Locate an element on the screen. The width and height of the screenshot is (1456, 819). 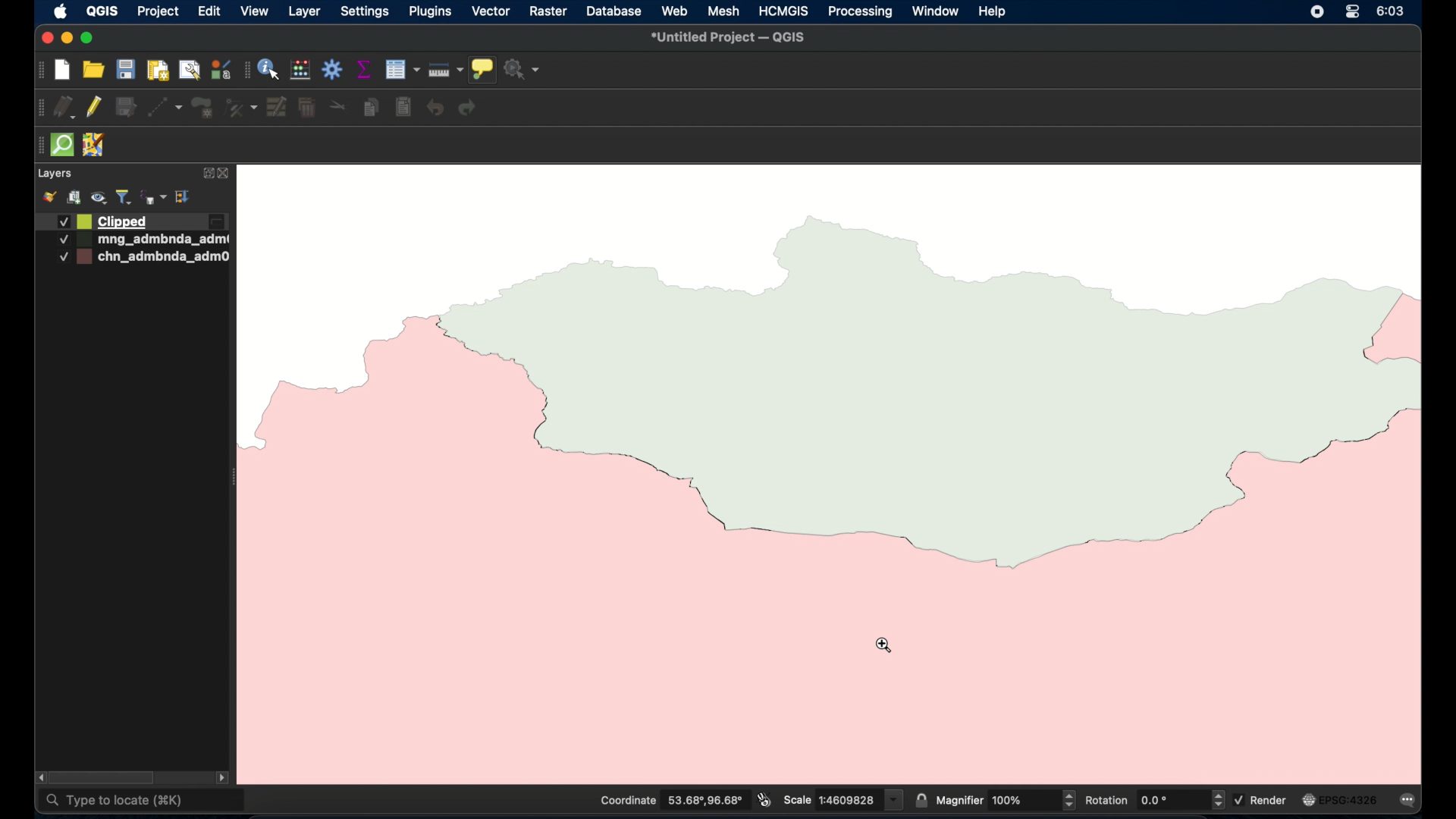
print layout is located at coordinates (157, 71).